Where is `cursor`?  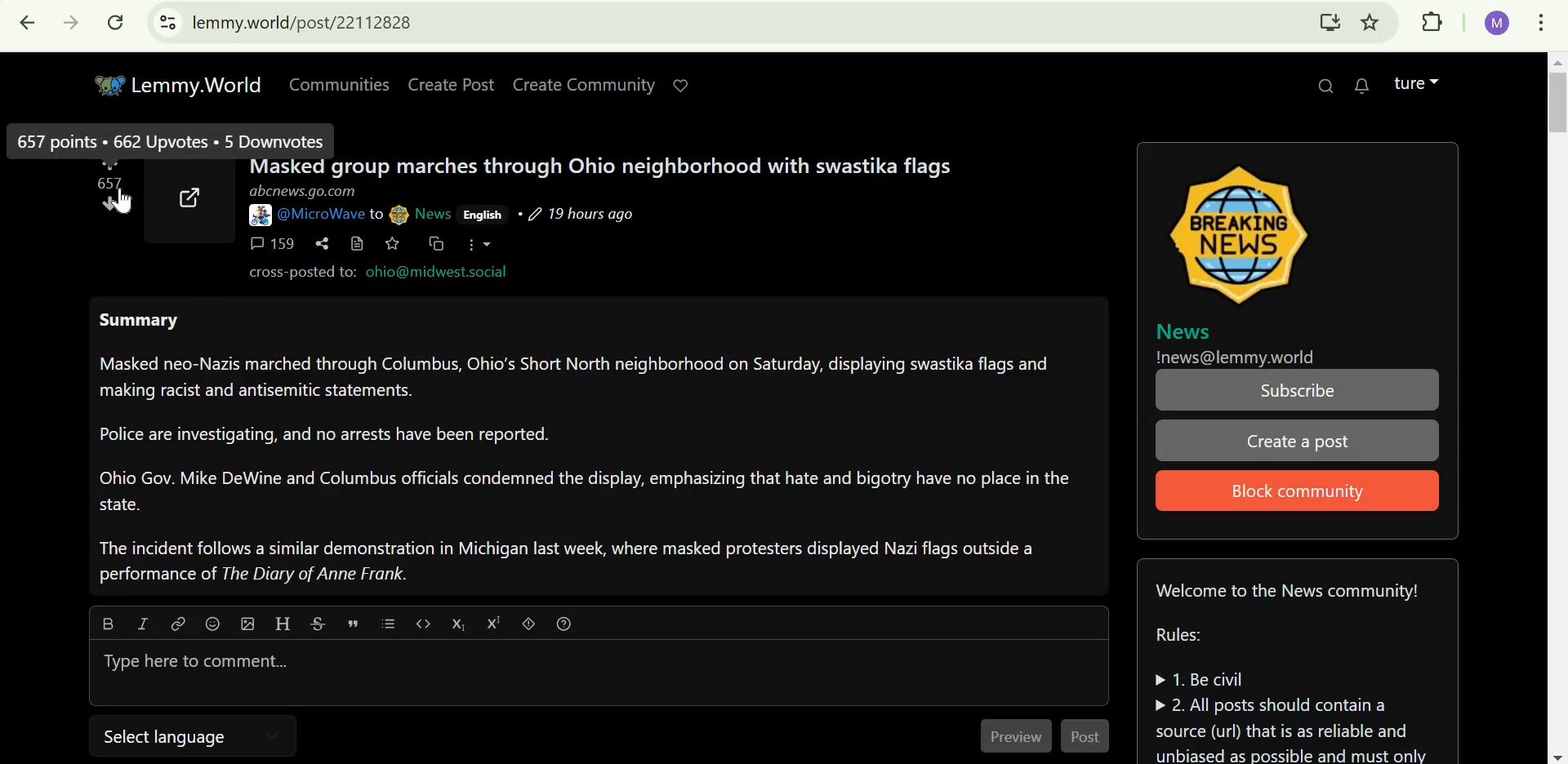
cursor is located at coordinates (127, 201).